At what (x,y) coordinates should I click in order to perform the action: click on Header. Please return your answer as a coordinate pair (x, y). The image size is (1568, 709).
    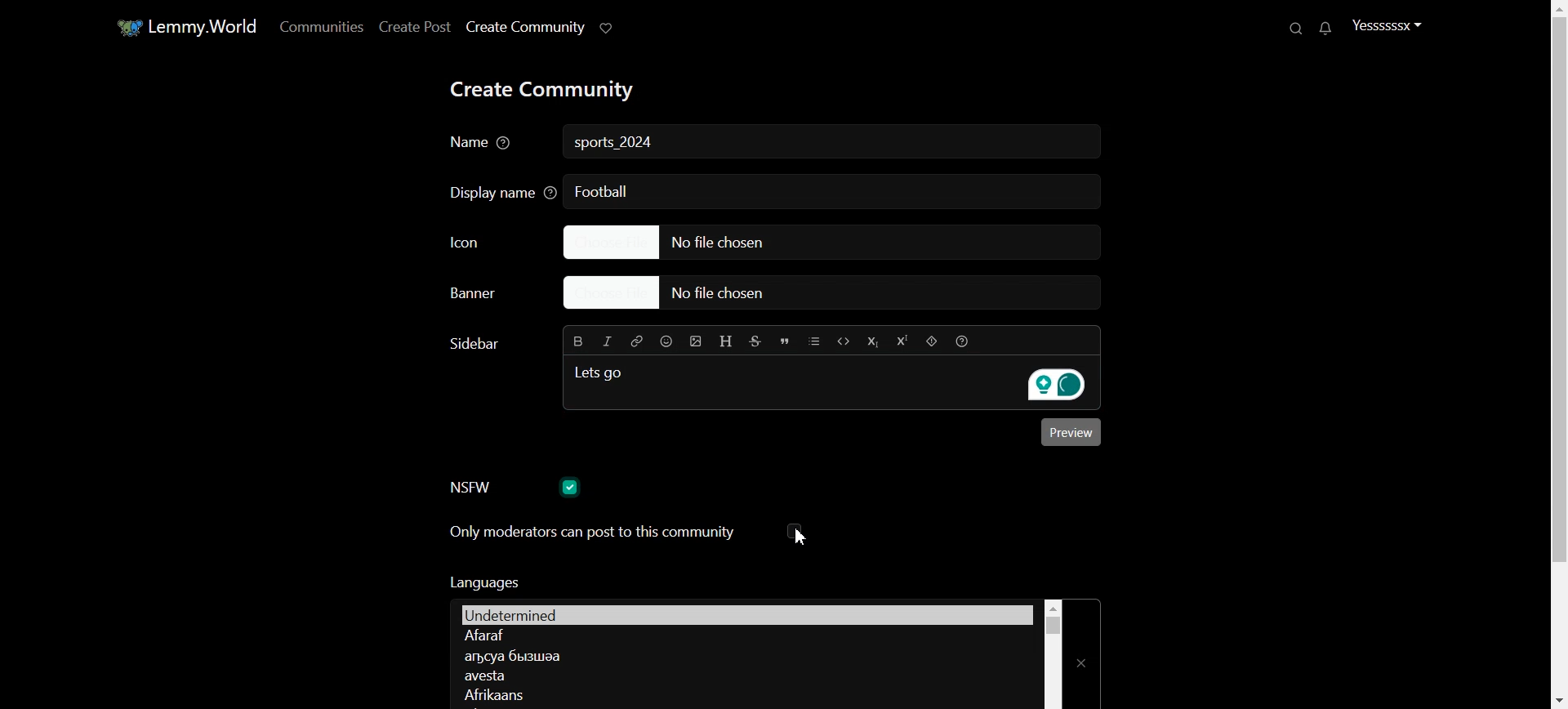
    Looking at the image, I should click on (727, 342).